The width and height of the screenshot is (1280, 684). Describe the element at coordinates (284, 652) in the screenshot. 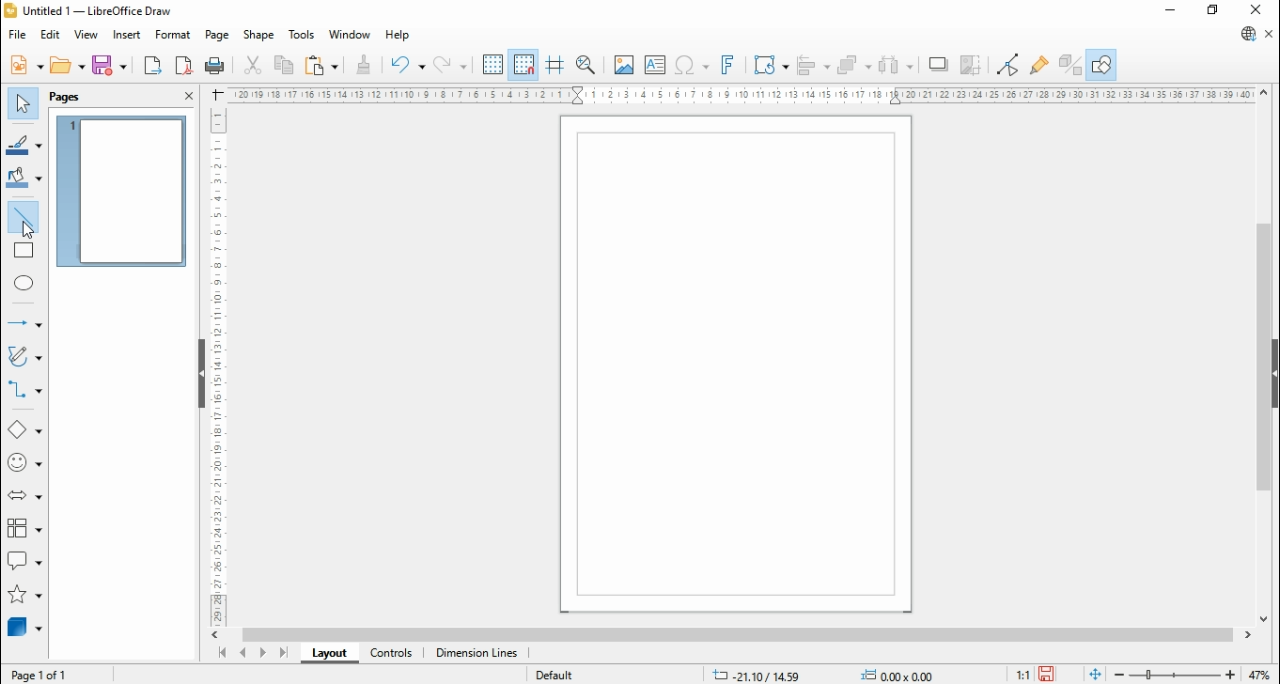

I see `last page` at that location.